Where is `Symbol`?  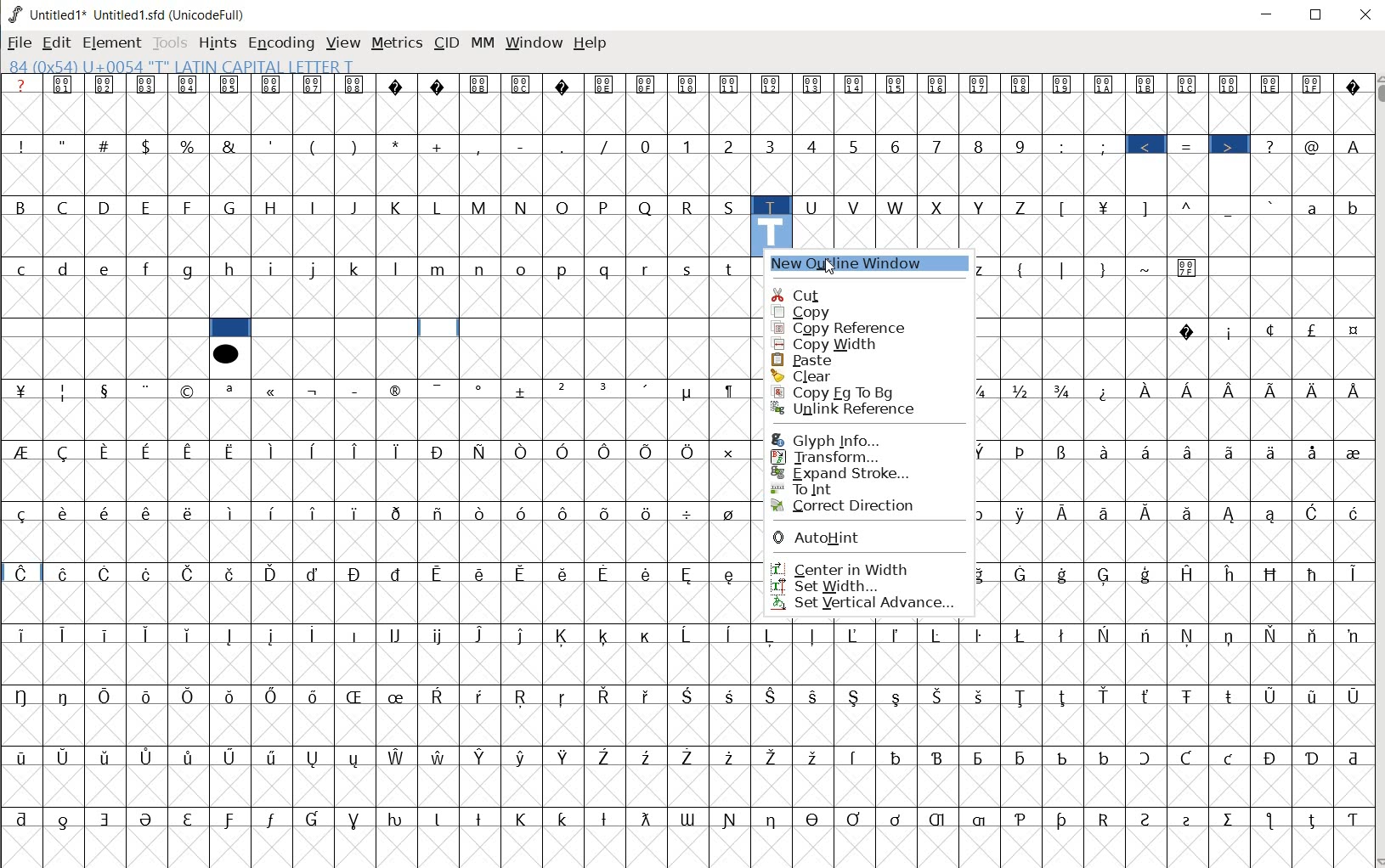
Symbol is located at coordinates (1190, 635).